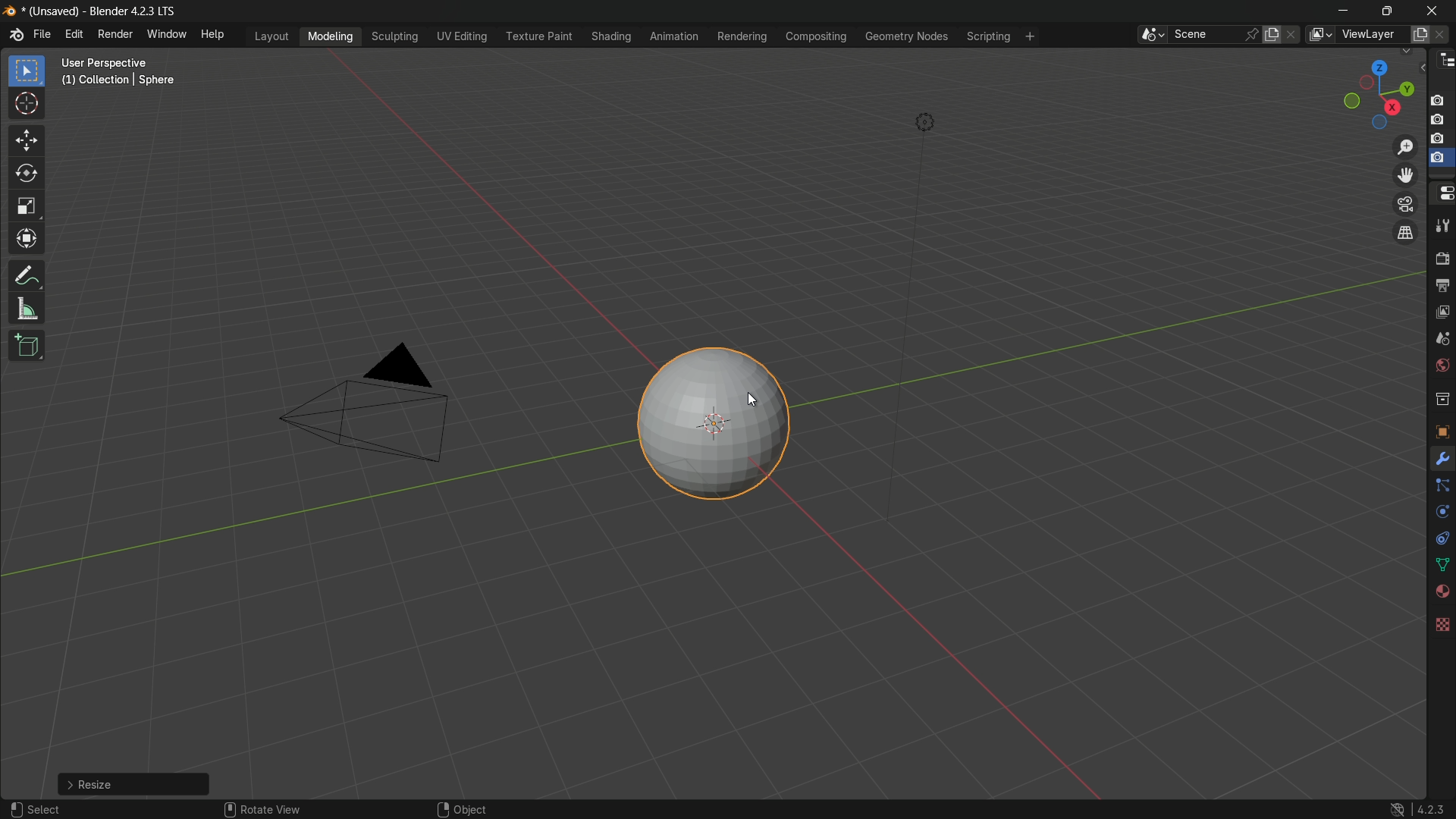  Describe the element at coordinates (1442, 623) in the screenshot. I see `texture` at that location.